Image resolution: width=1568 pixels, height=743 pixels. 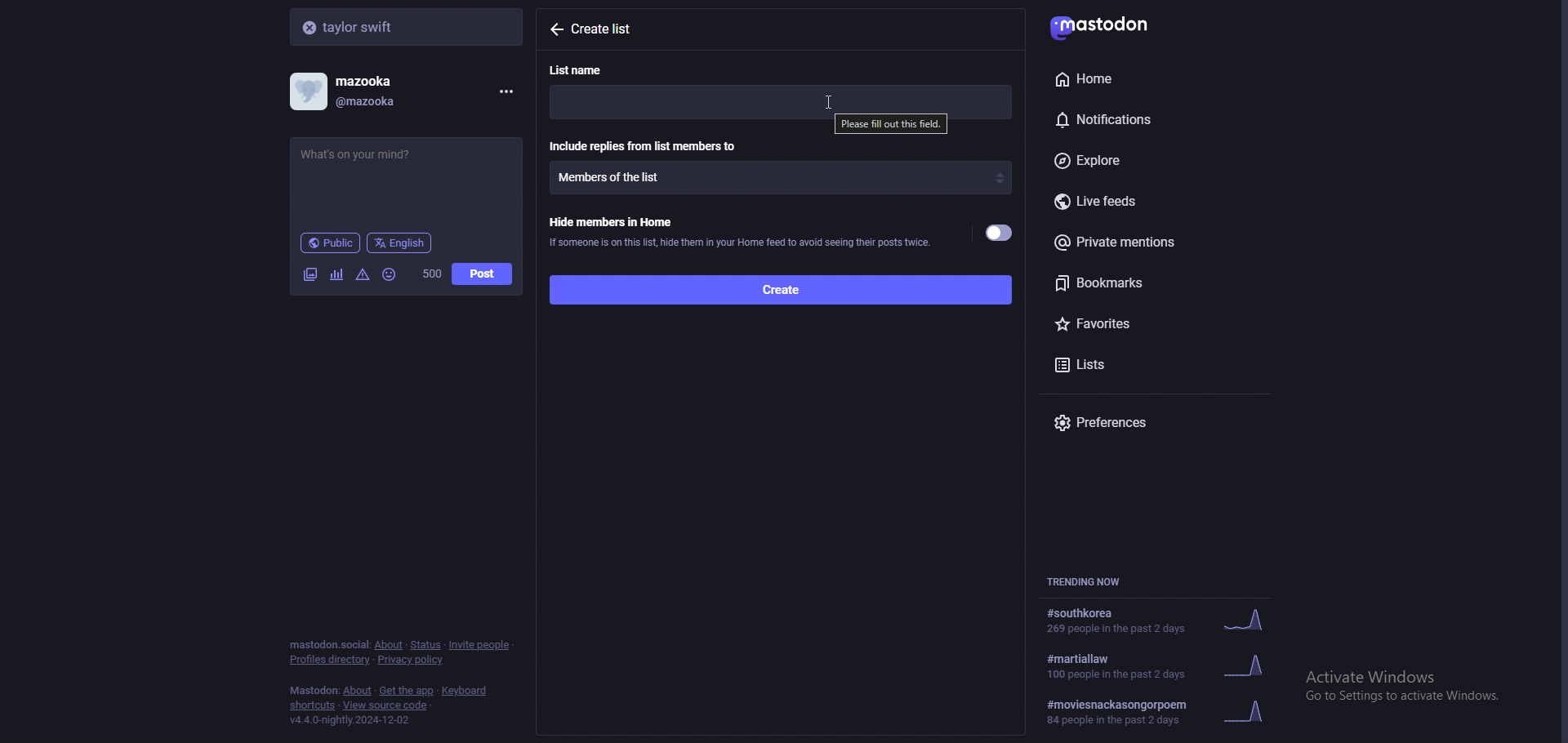 I want to click on bookmarks, so click(x=1158, y=283).